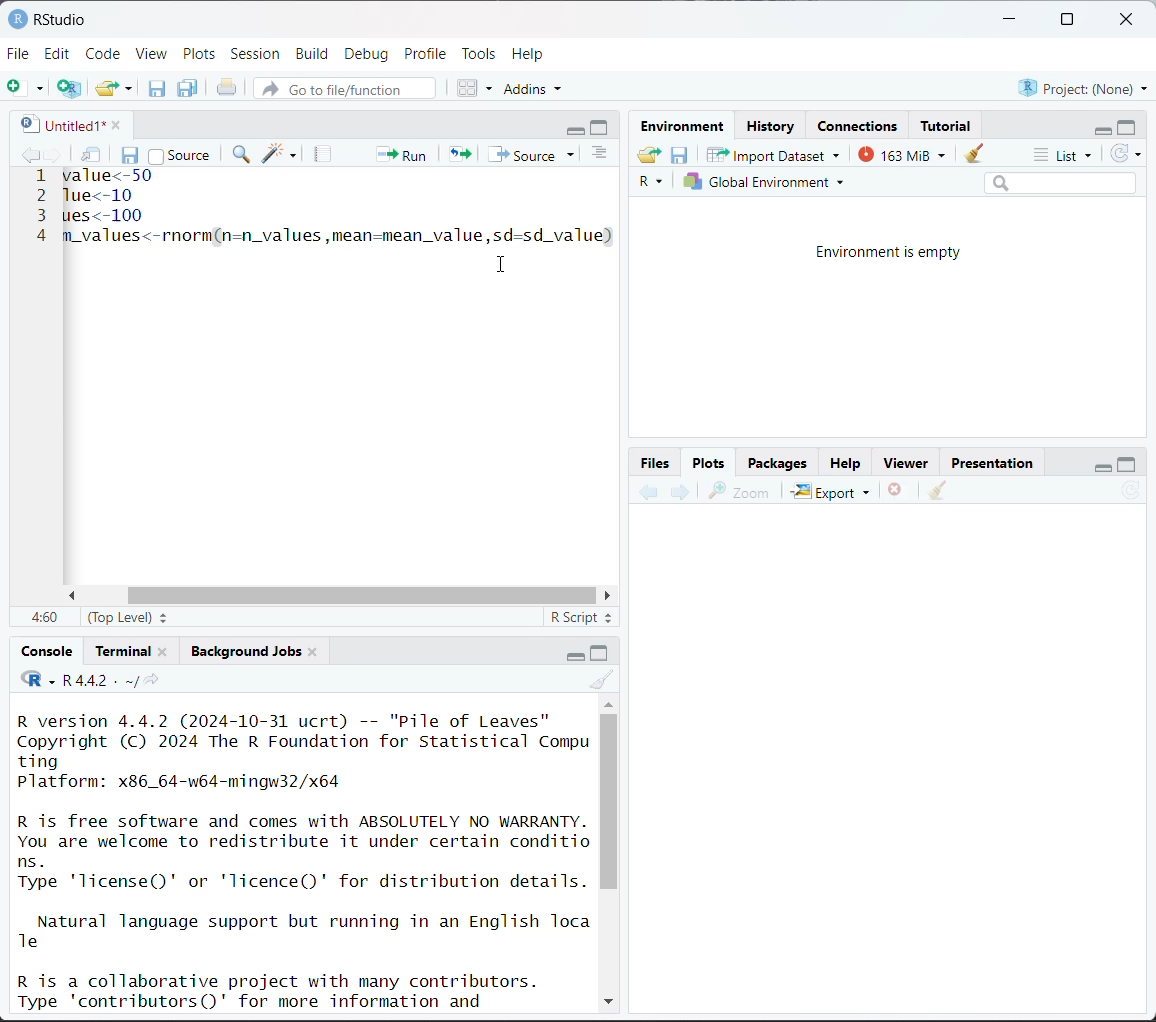  I want to click on Terminal, so click(125, 648).